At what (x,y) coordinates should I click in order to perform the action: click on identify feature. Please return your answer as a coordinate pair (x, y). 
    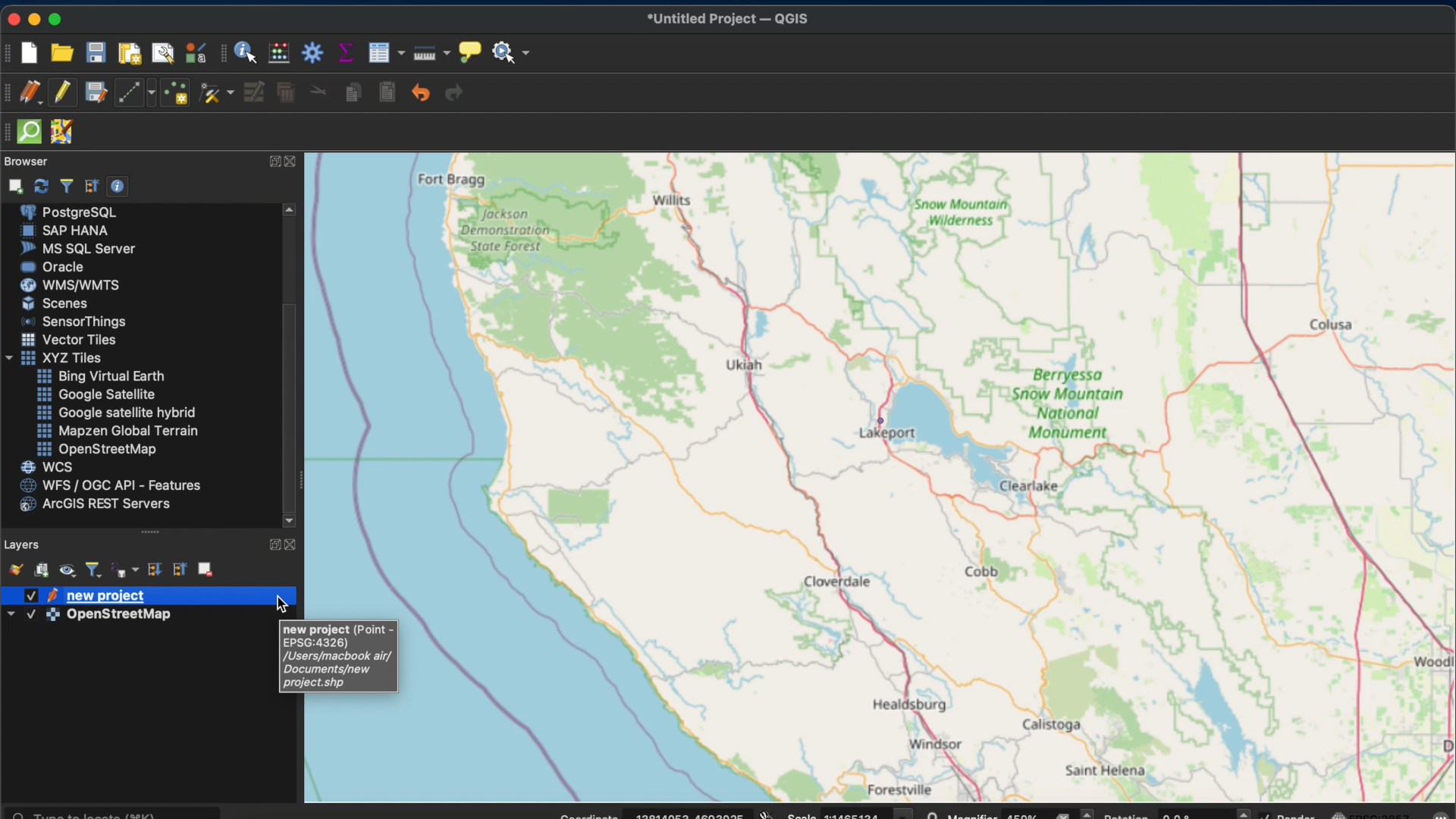
    Looking at the image, I should click on (247, 52).